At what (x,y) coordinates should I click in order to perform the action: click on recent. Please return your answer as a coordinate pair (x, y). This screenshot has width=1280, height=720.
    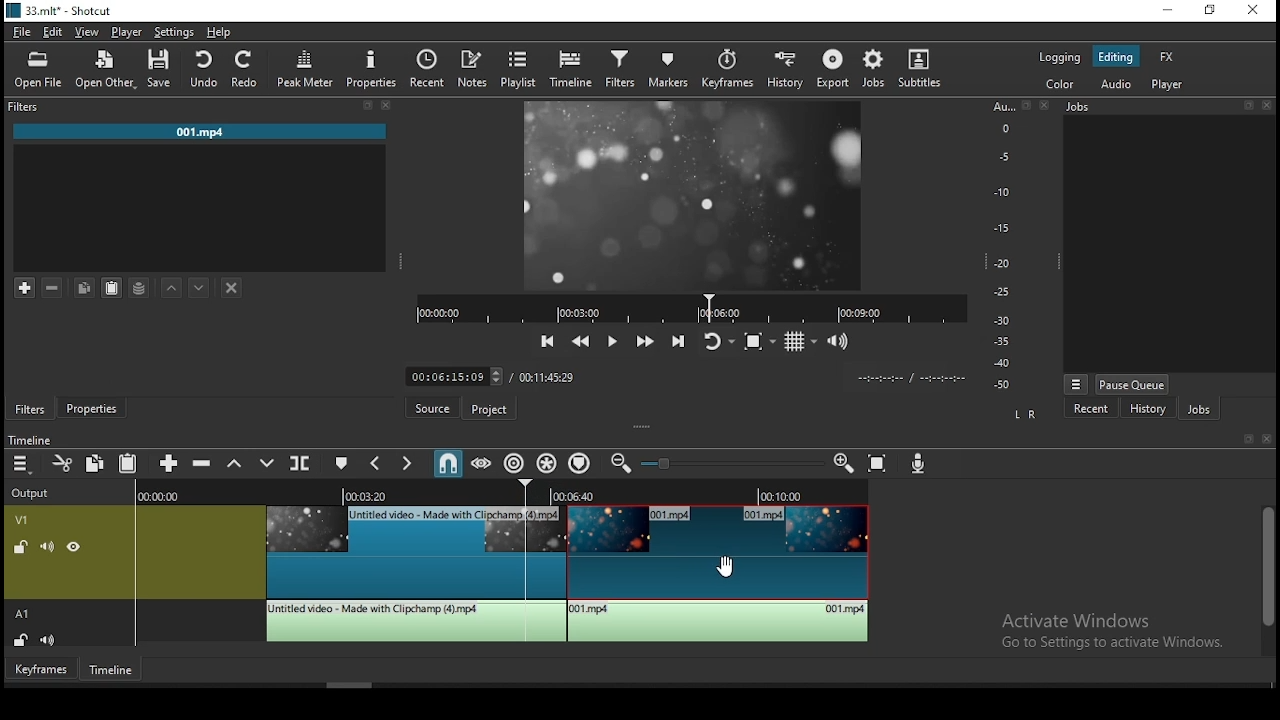
    Looking at the image, I should click on (1091, 409).